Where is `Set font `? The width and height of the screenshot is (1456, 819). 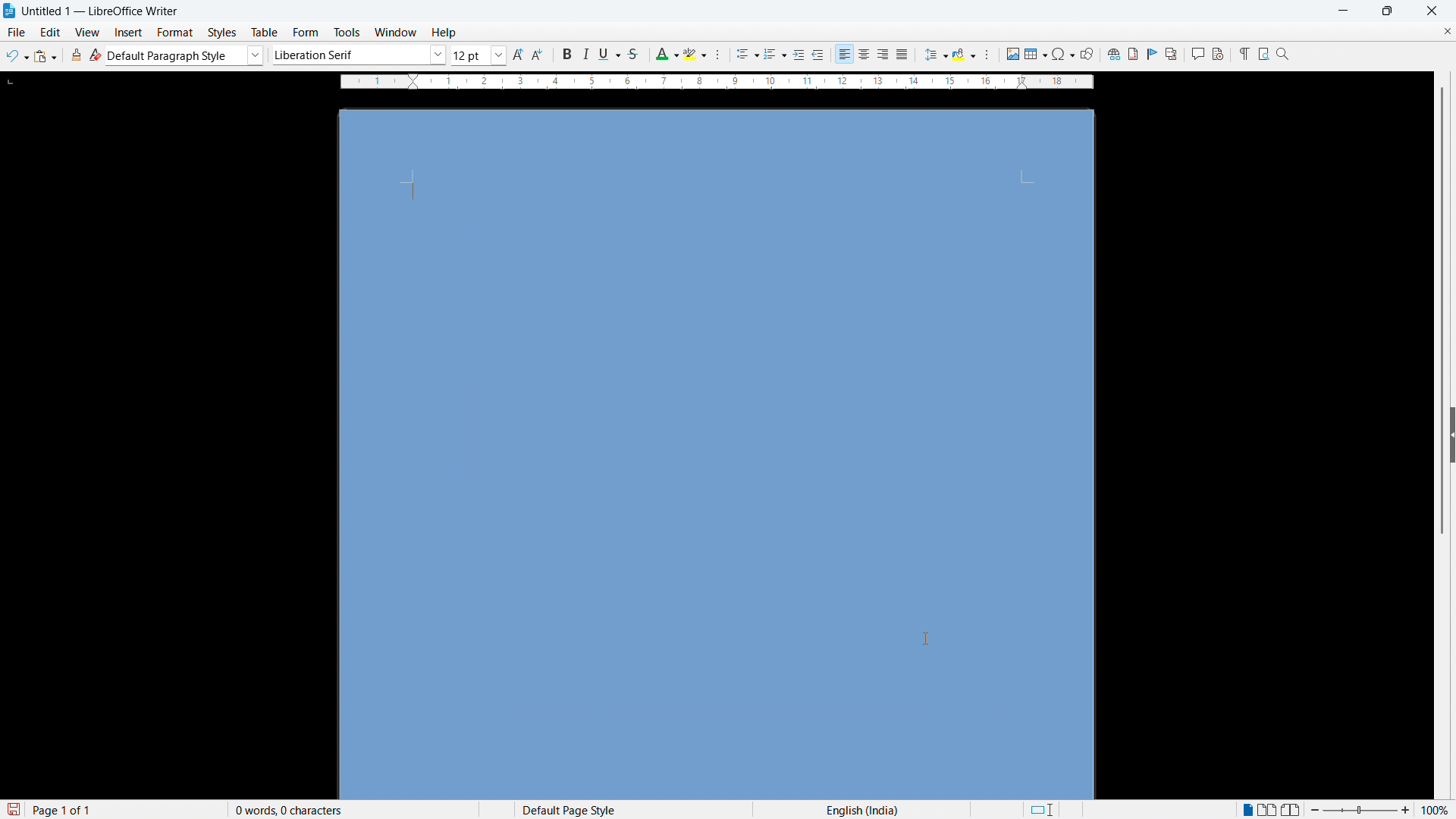
Set font  is located at coordinates (359, 55).